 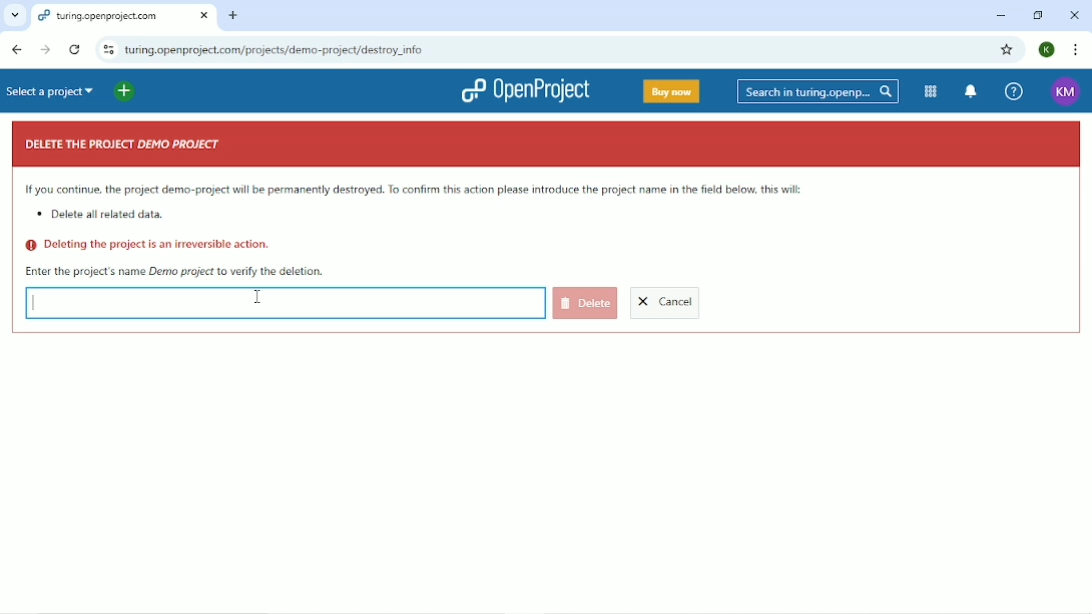 I want to click on OpenProject, so click(x=525, y=90).